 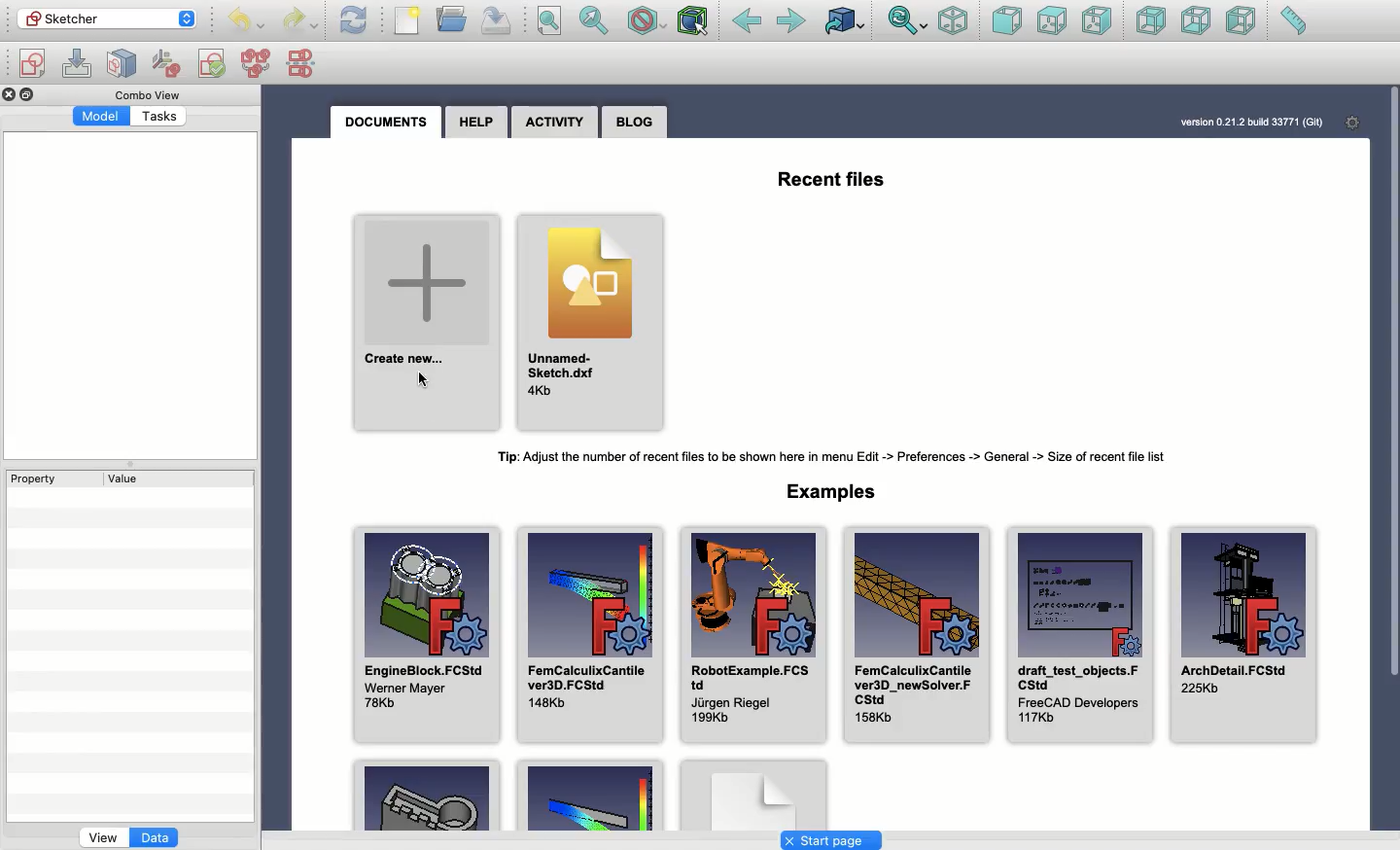 What do you see at coordinates (1293, 20) in the screenshot?
I see `Measure` at bounding box center [1293, 20].